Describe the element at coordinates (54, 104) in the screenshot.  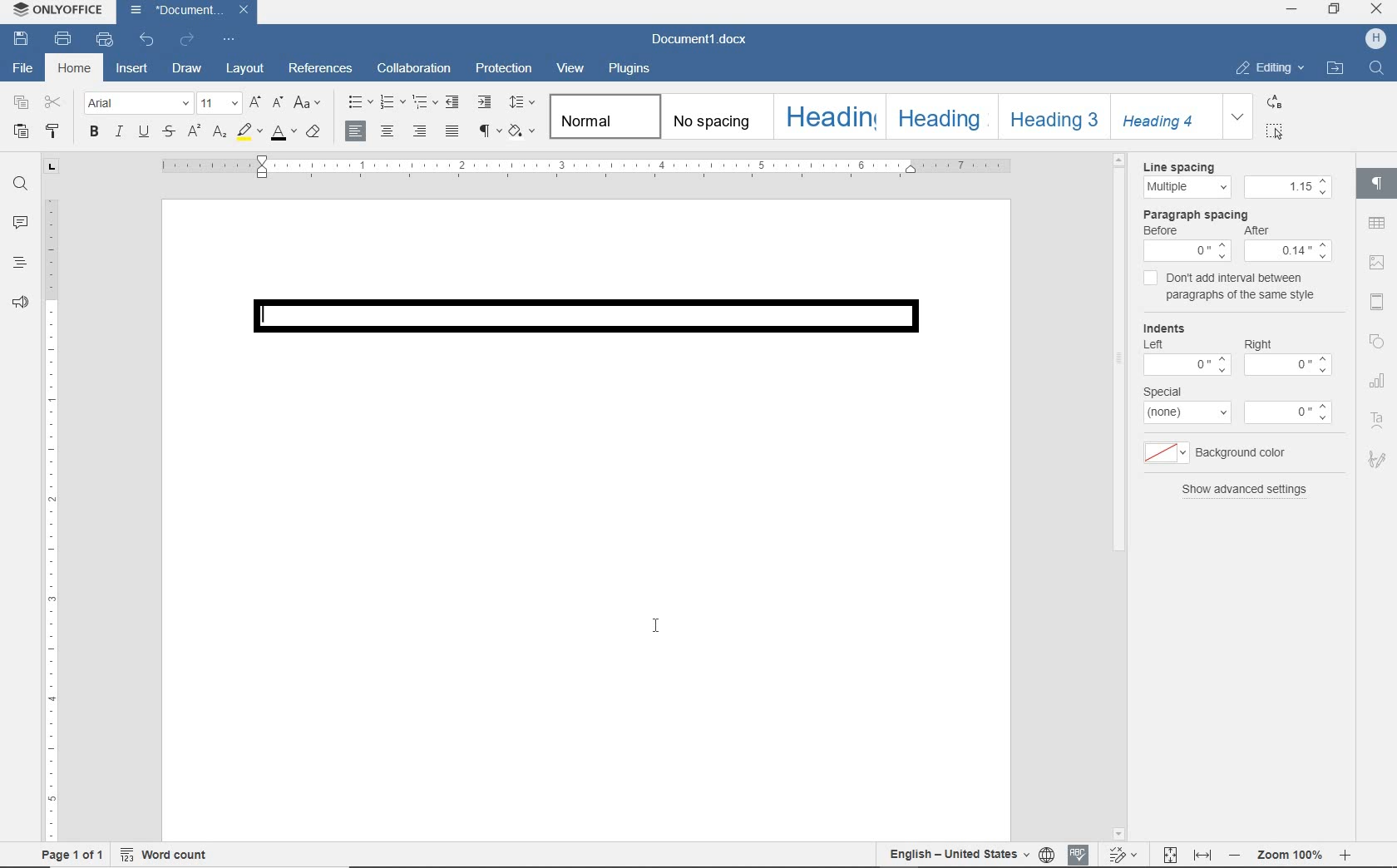
I see `cut` at that location.